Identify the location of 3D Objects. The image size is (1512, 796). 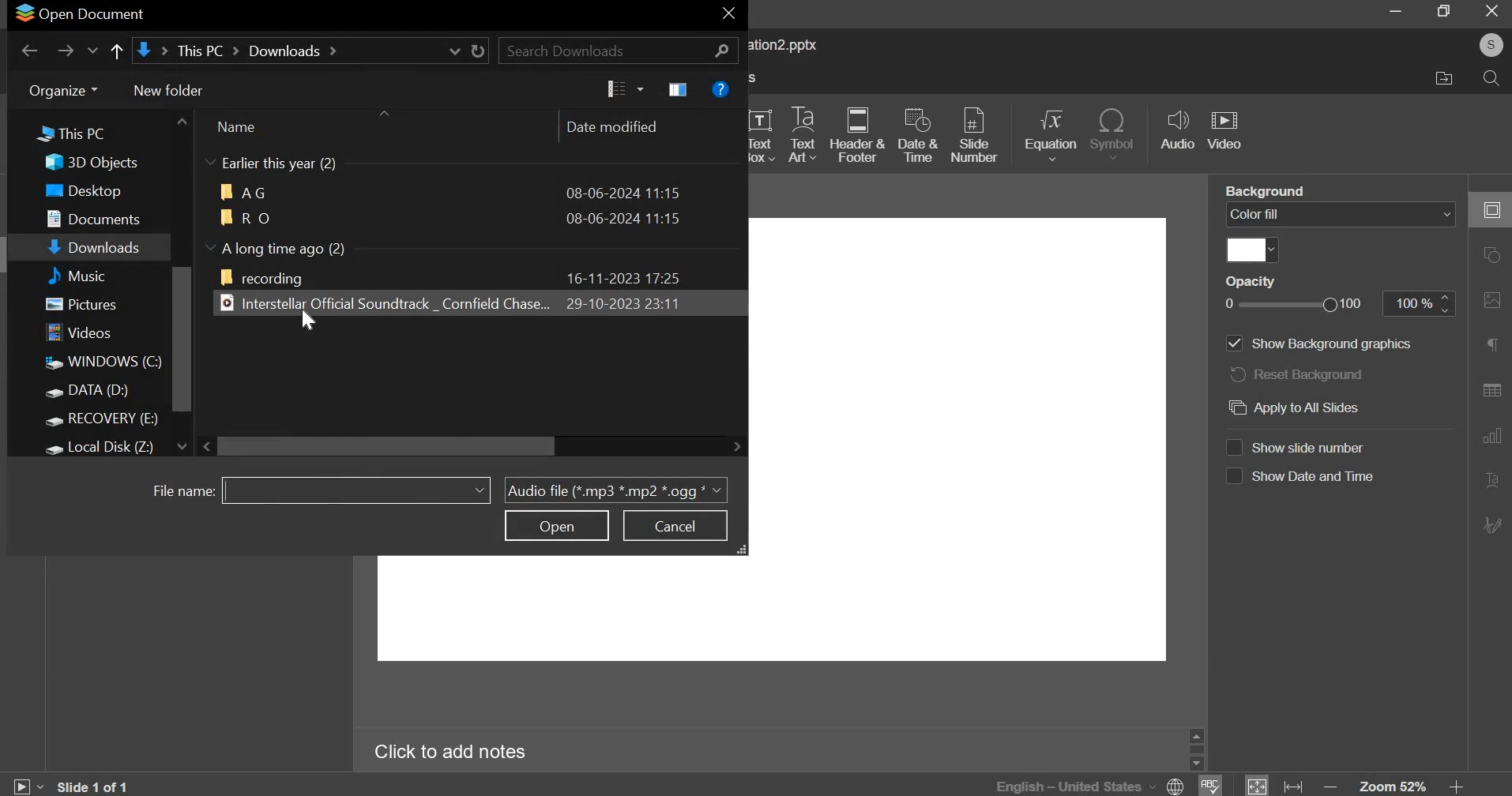
(90, 163).